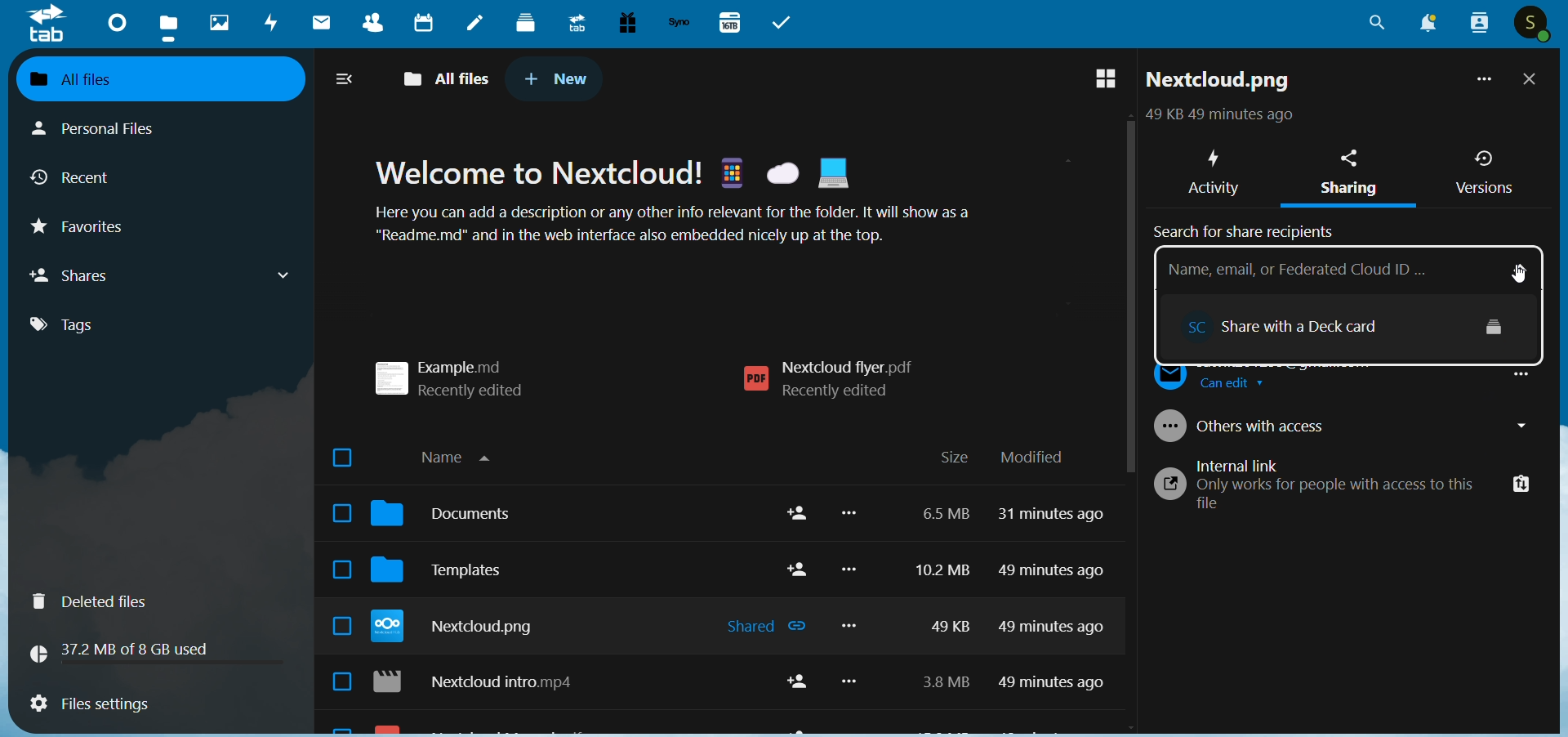  Describe the element at coordinates (696, 205) in the screenshot. I see `welcome text` at that location.